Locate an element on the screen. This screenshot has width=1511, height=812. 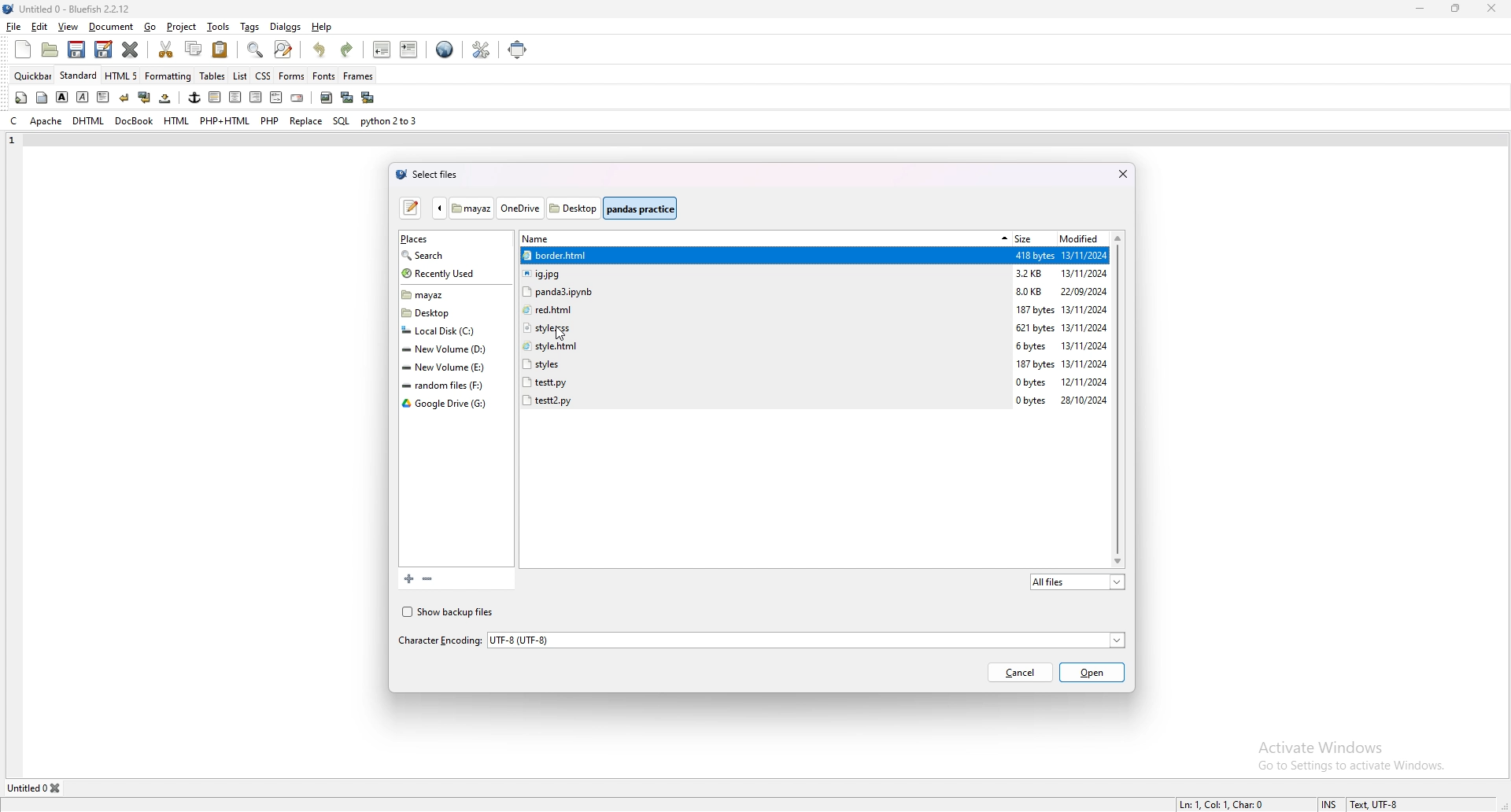
INS is located at coordinates (1332, 804).